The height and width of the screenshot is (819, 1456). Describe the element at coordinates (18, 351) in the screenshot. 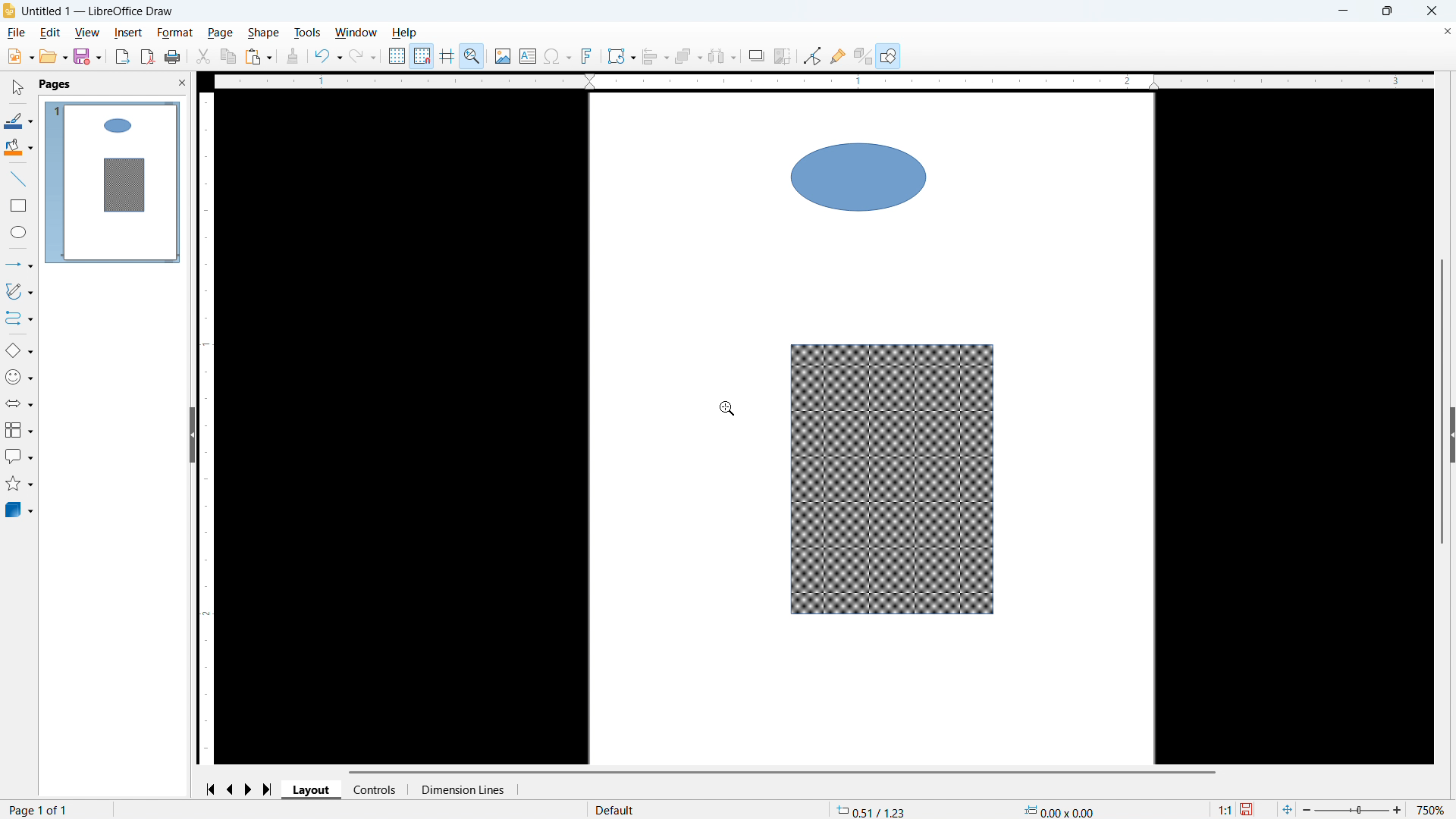

I see `Basic shapes ` at that location.